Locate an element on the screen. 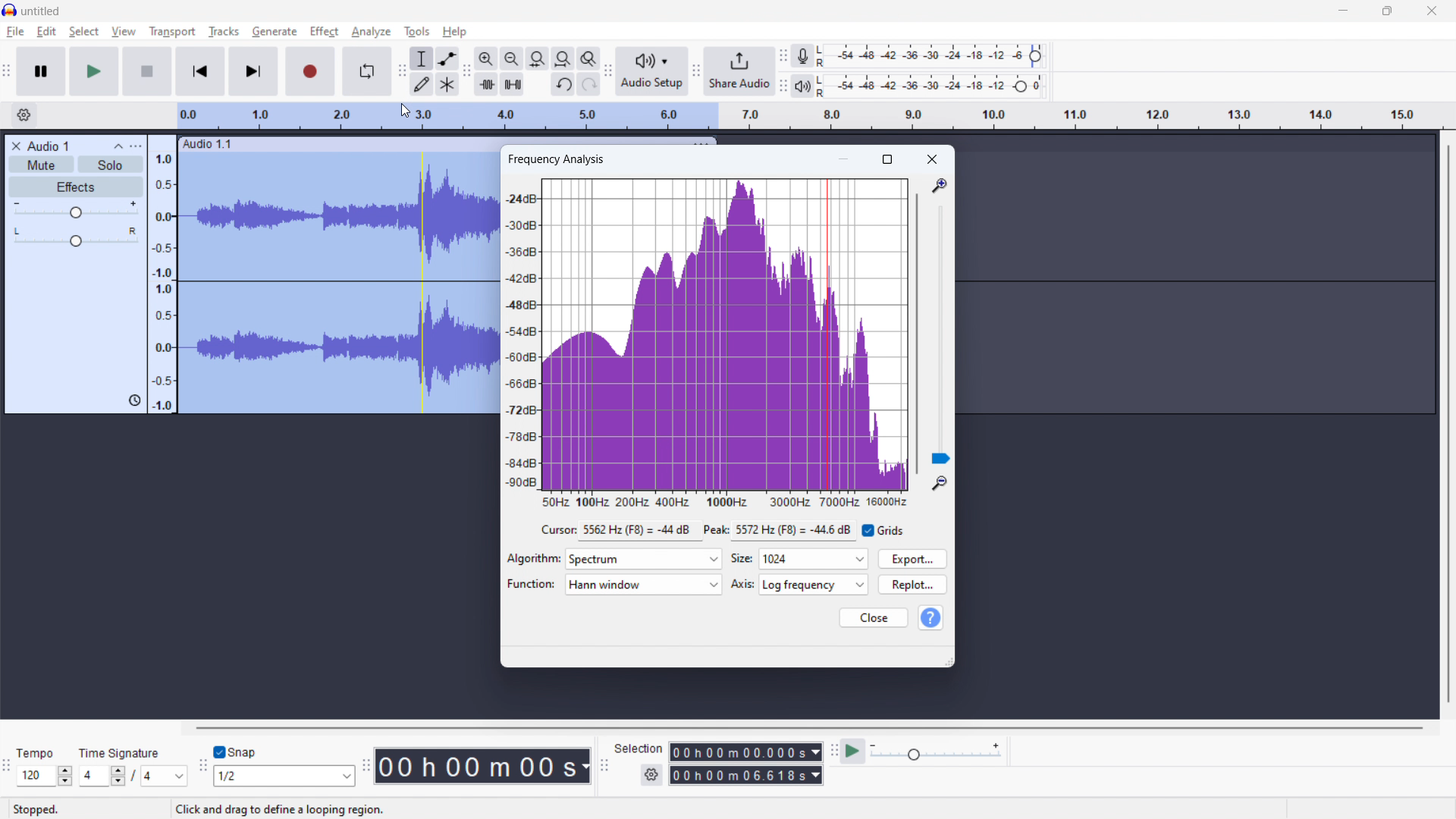 Image resolution: width=1456 pixels, height=819 pixels. redo is located at coordinates (589, 84).